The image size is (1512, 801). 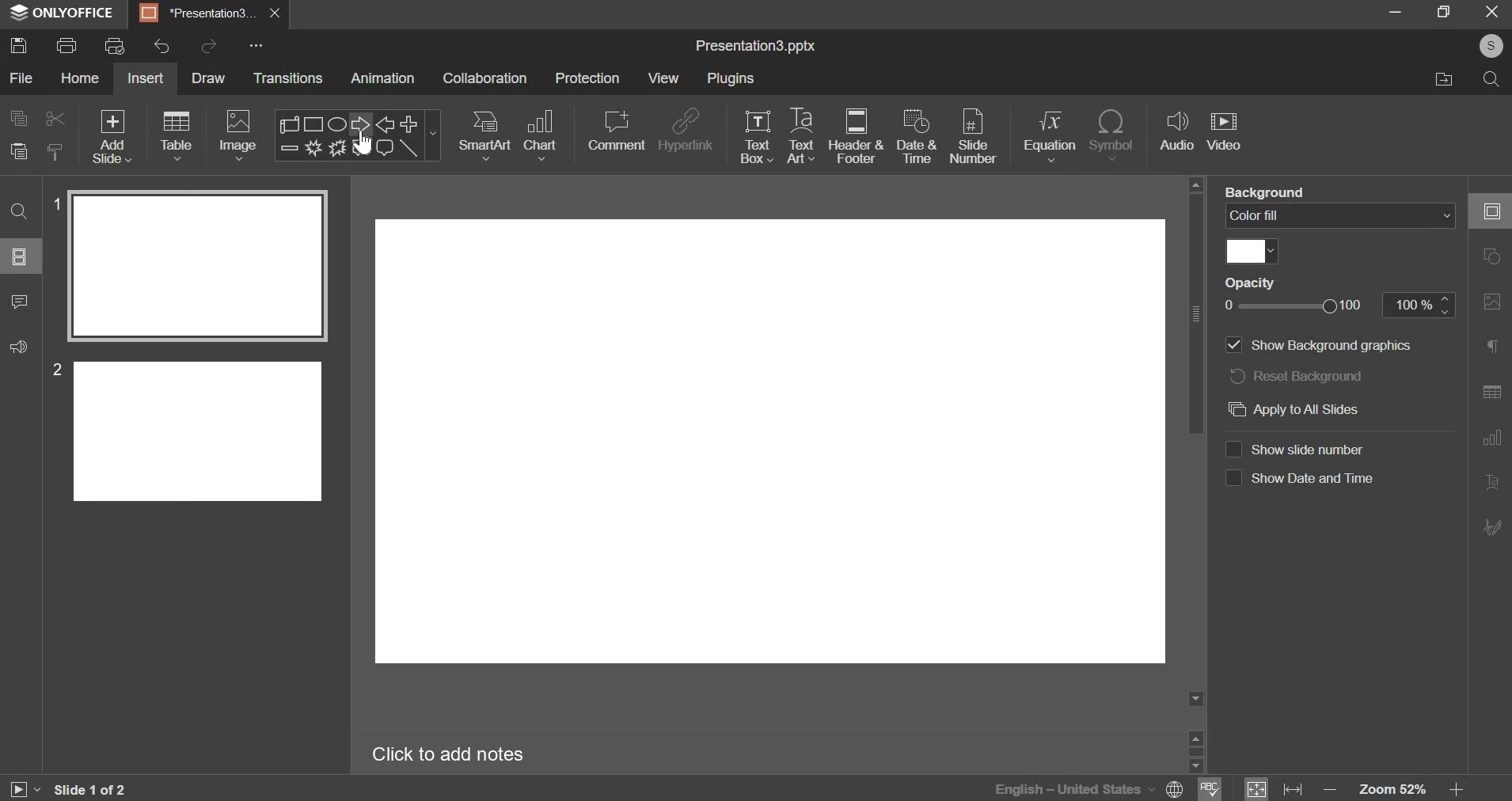 What do you see at coordinates (1301, 449) in the screenshot?
I see `slide number` at bounding box center [1301, 449].